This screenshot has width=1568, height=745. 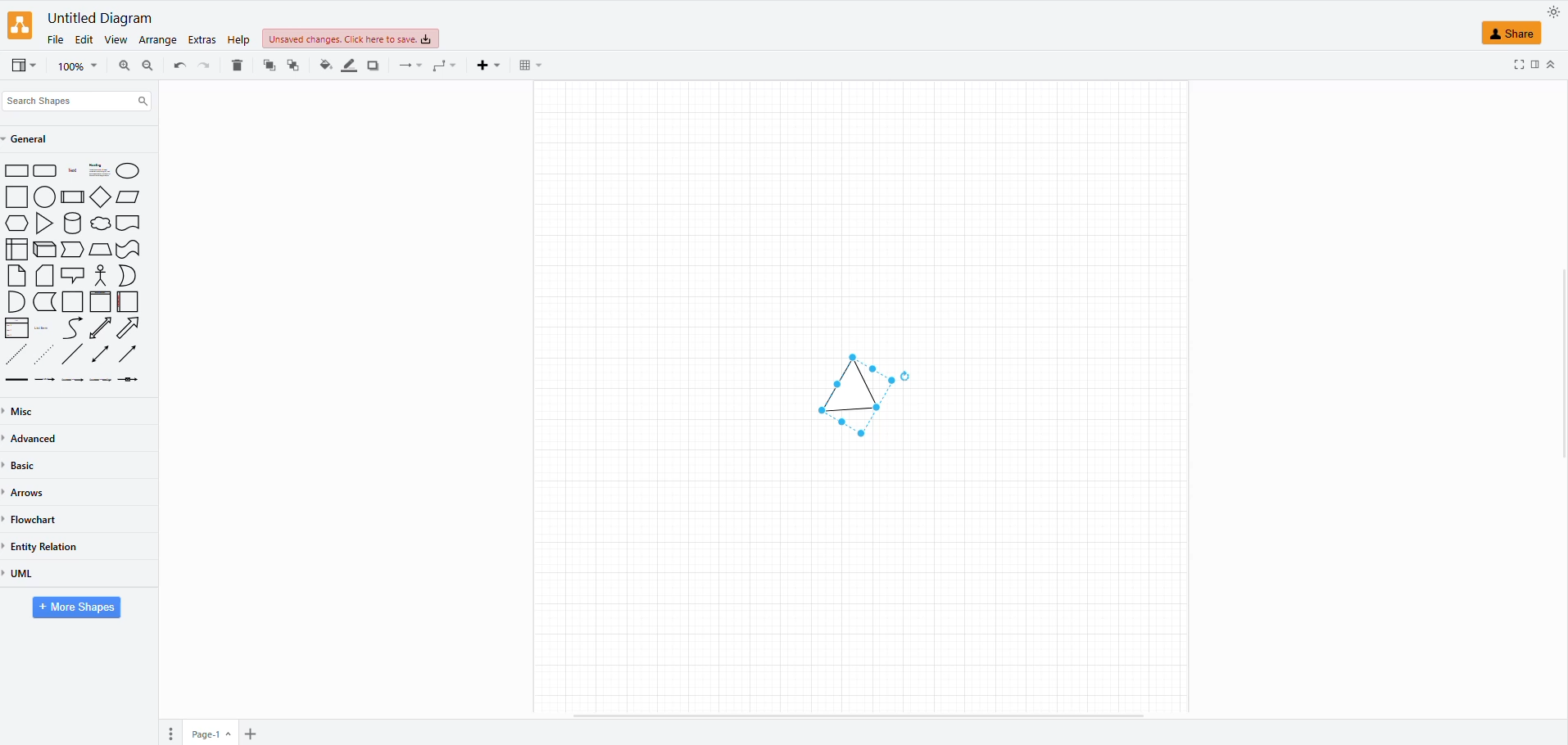 I want to click on undo, so click(x=205, y=65).